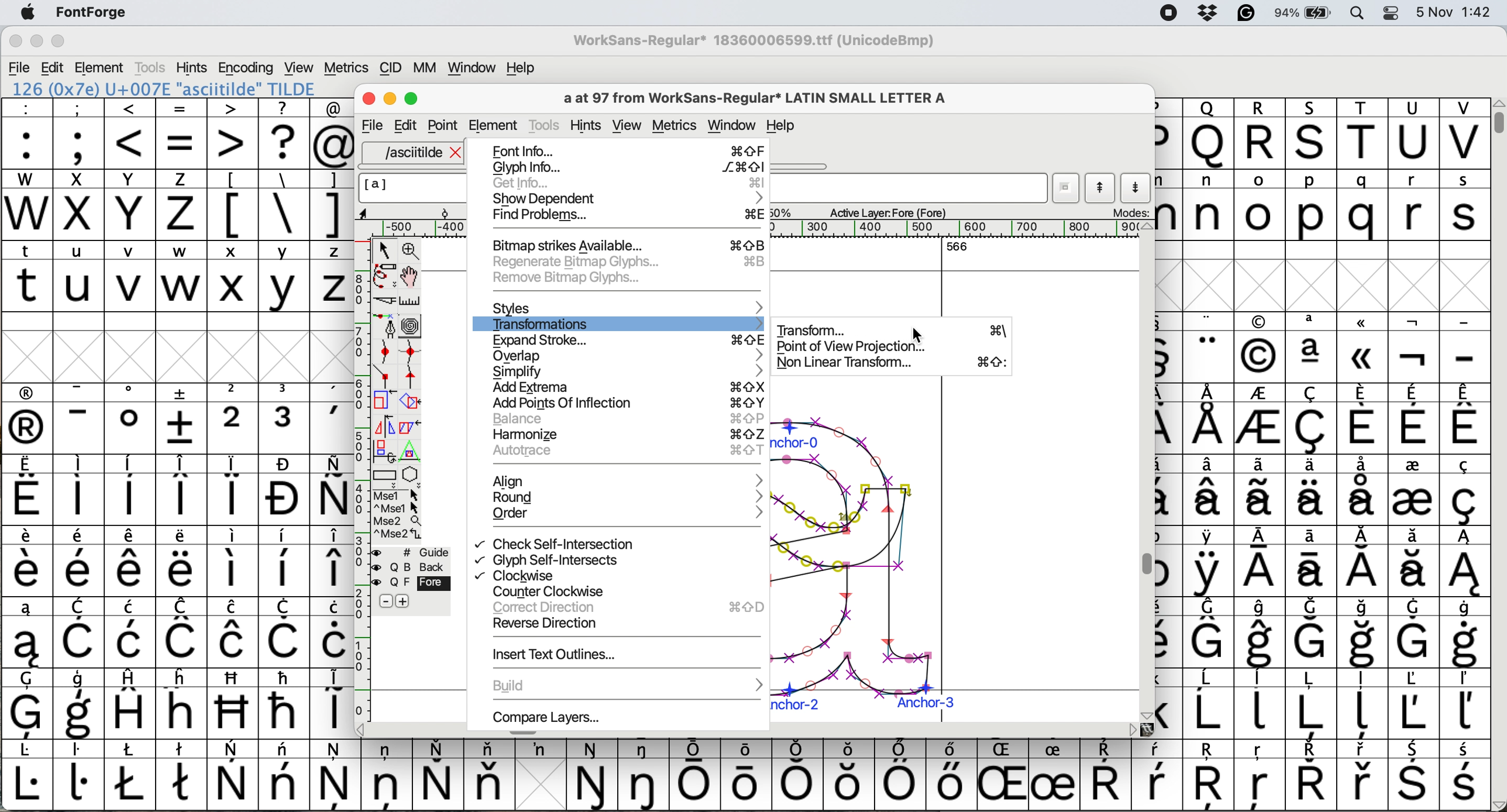 Image resolution: width=1507 pixels, height=812 pixels. Describe the element at coordinates (334, 632) in the screenshot. I see `symbol` at that location.